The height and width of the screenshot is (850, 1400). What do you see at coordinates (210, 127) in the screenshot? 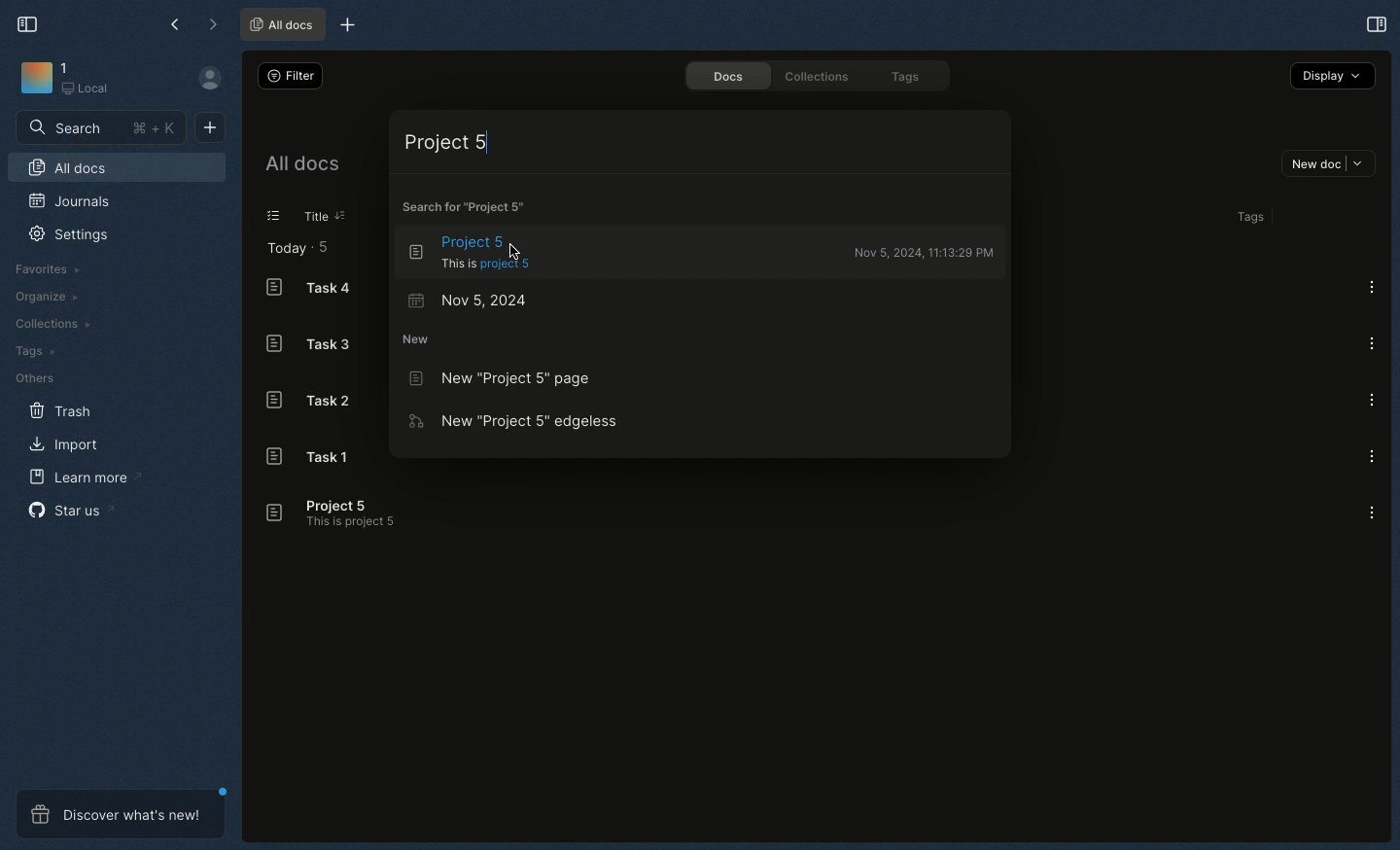
I see `New document` at bounding box center [210, 127].